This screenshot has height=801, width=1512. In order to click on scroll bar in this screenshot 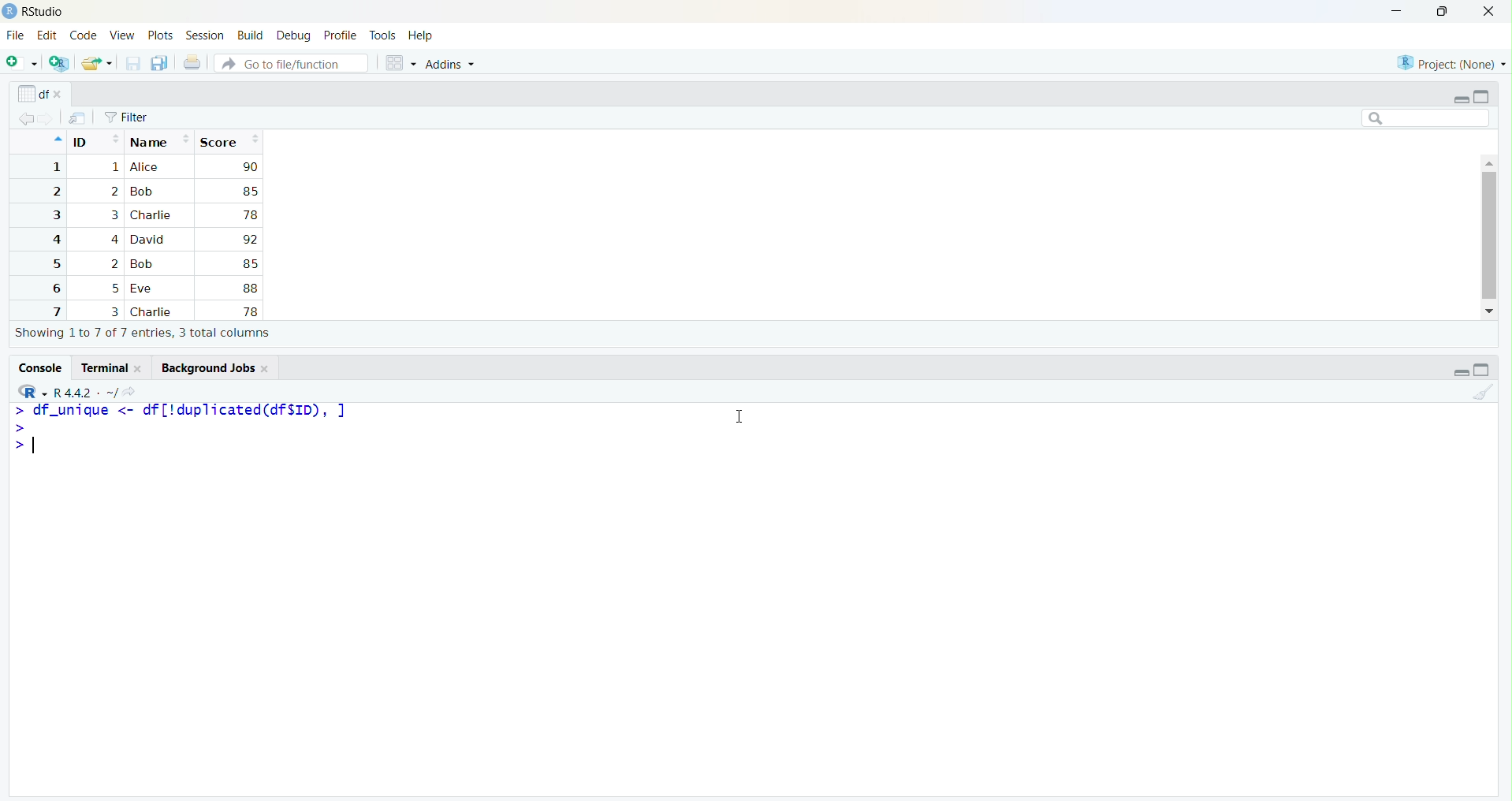, I will do `click(1488, 235)`.